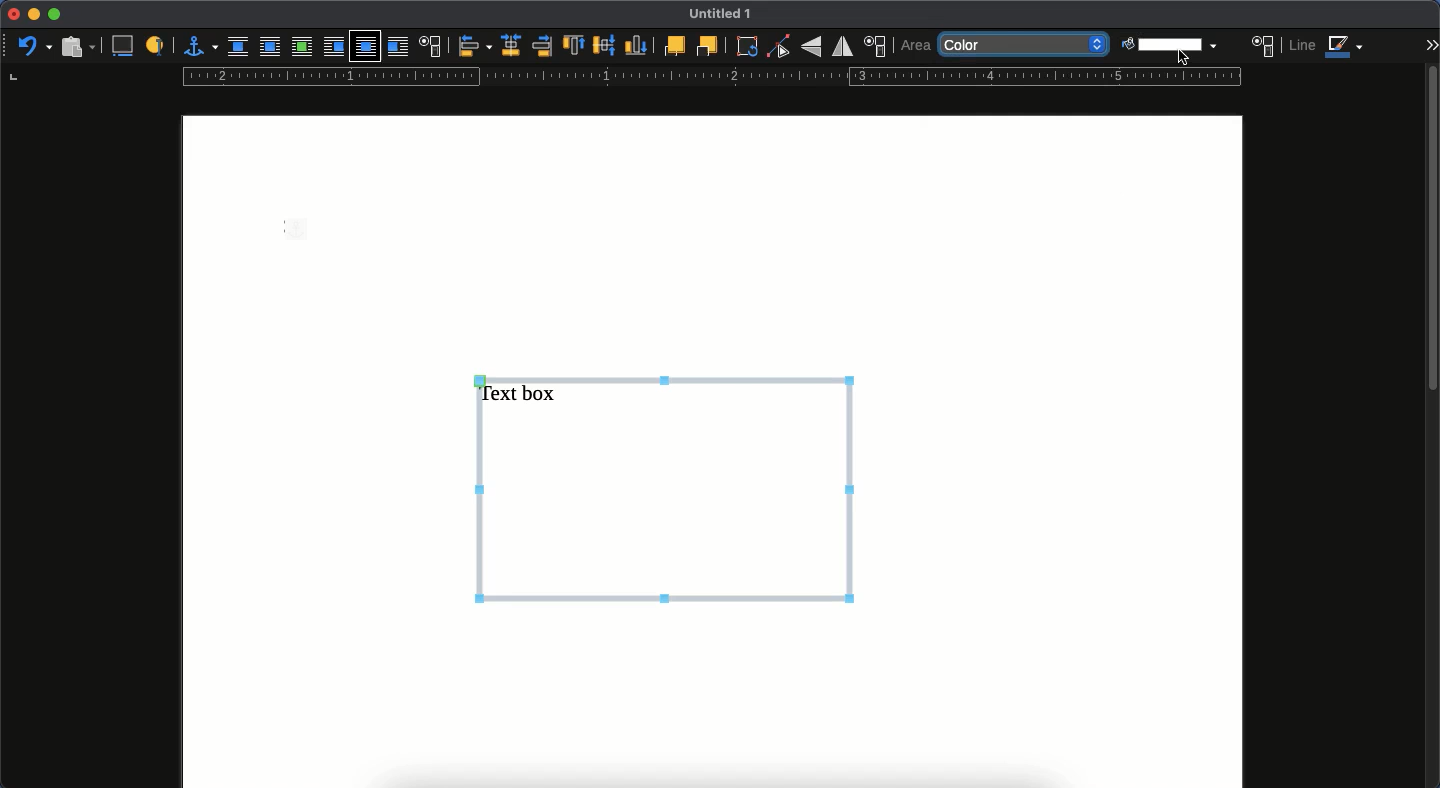  Describe the element at coordinates (332, 48) in the screenshot. I see `before` at that location.